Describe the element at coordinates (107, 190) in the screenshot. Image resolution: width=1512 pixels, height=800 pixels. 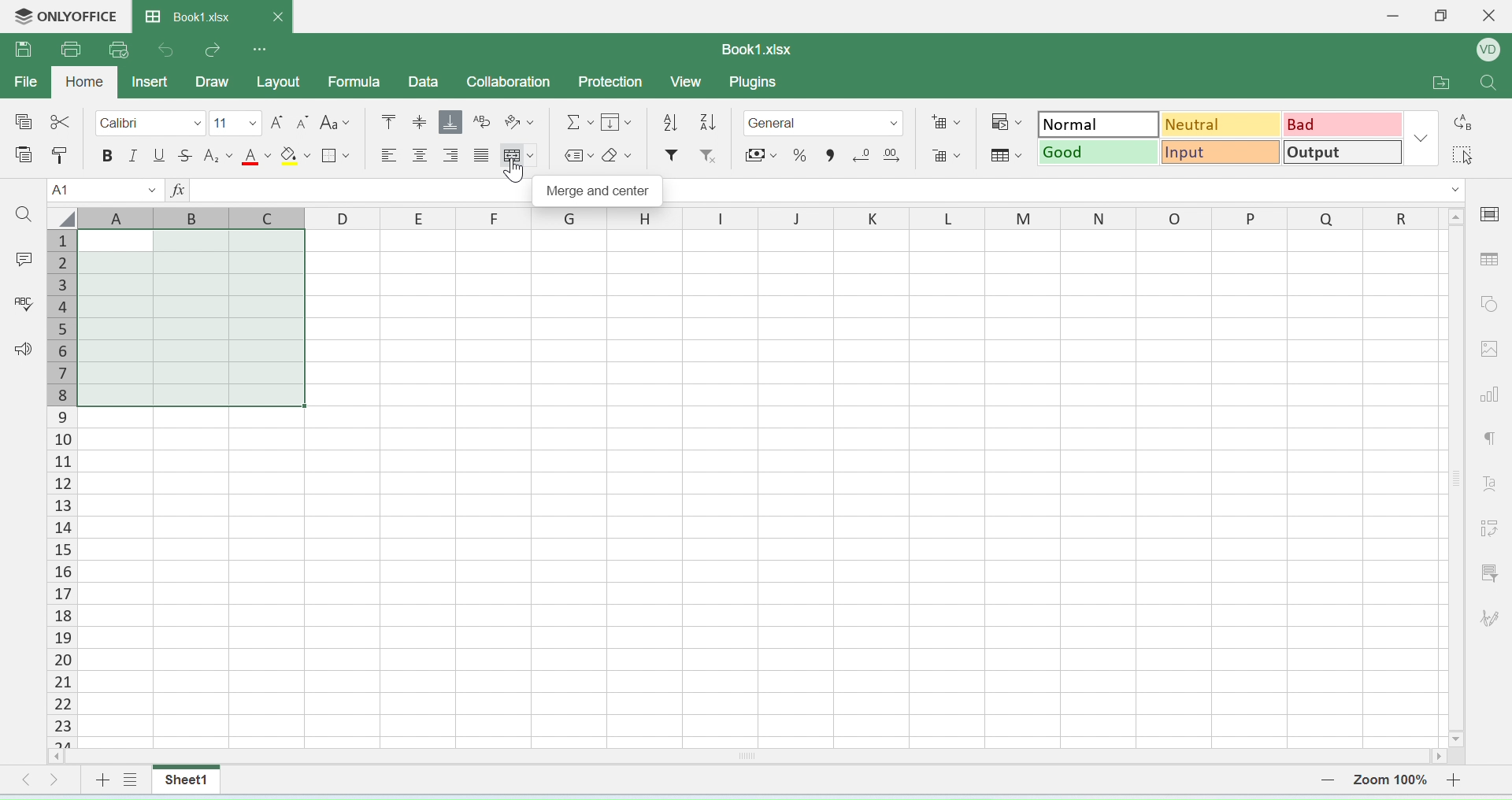
I see `cell name` at that location.